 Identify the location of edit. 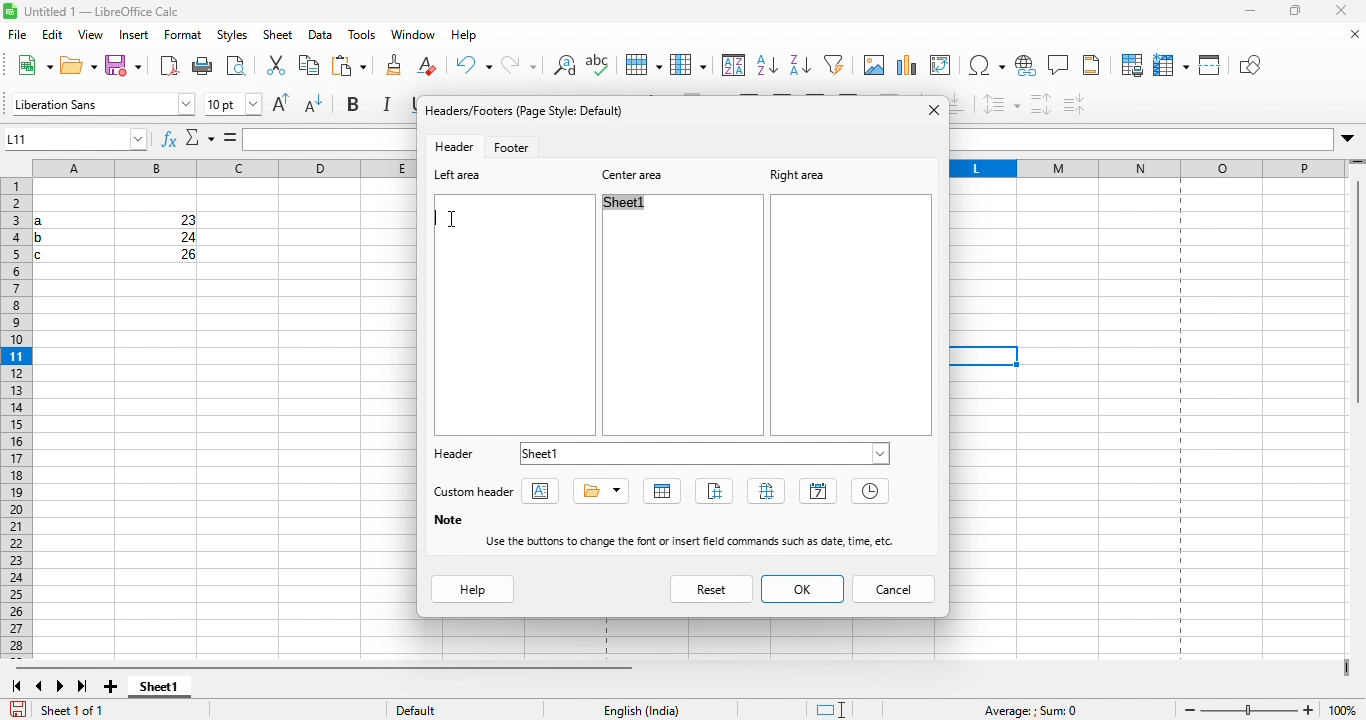
(54, 37).